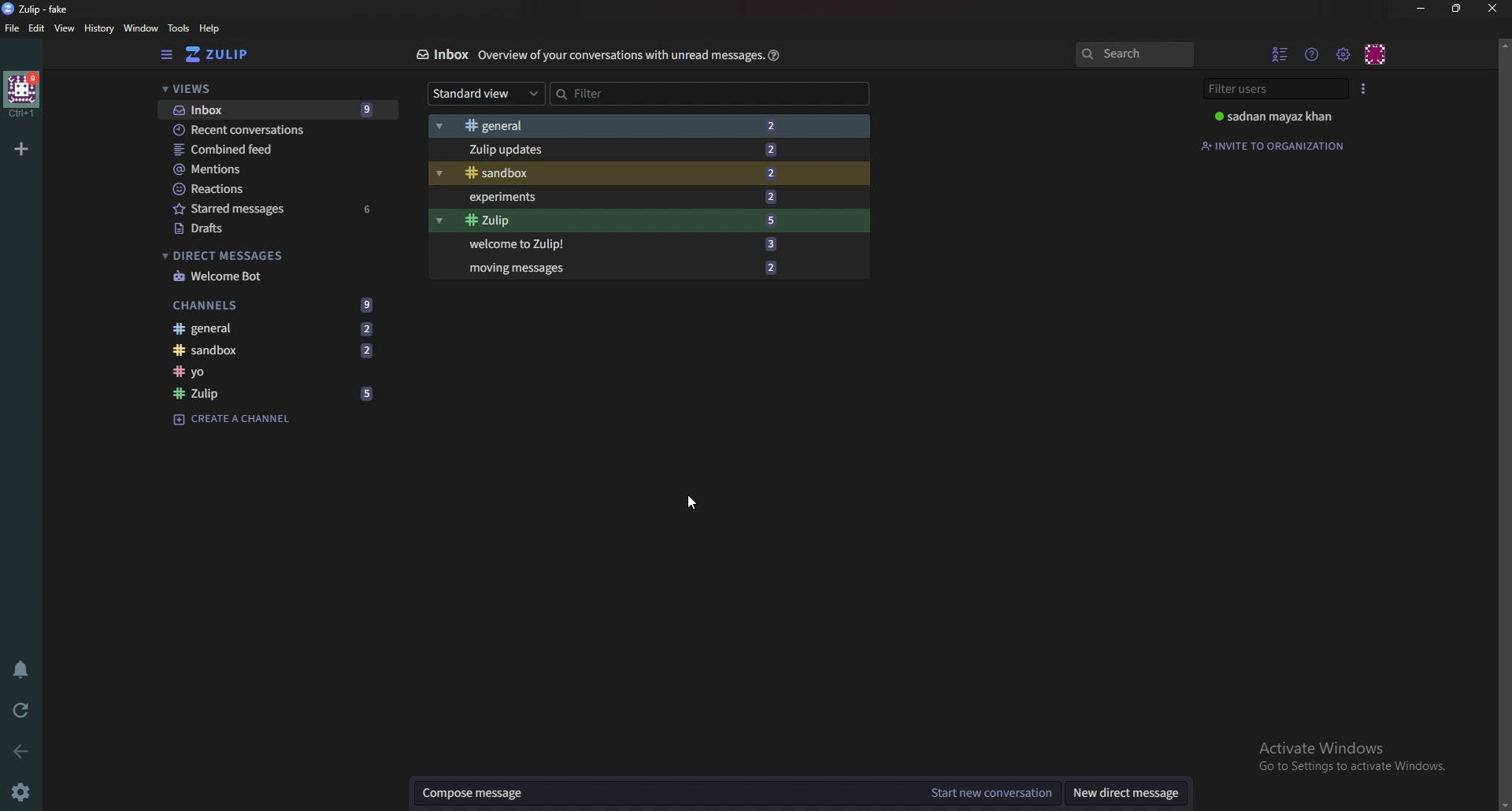 This screenshot has width=1512, height=811. Describe the element at coordinates (180, 29) in the screenshot. I see `Tools` at that location.